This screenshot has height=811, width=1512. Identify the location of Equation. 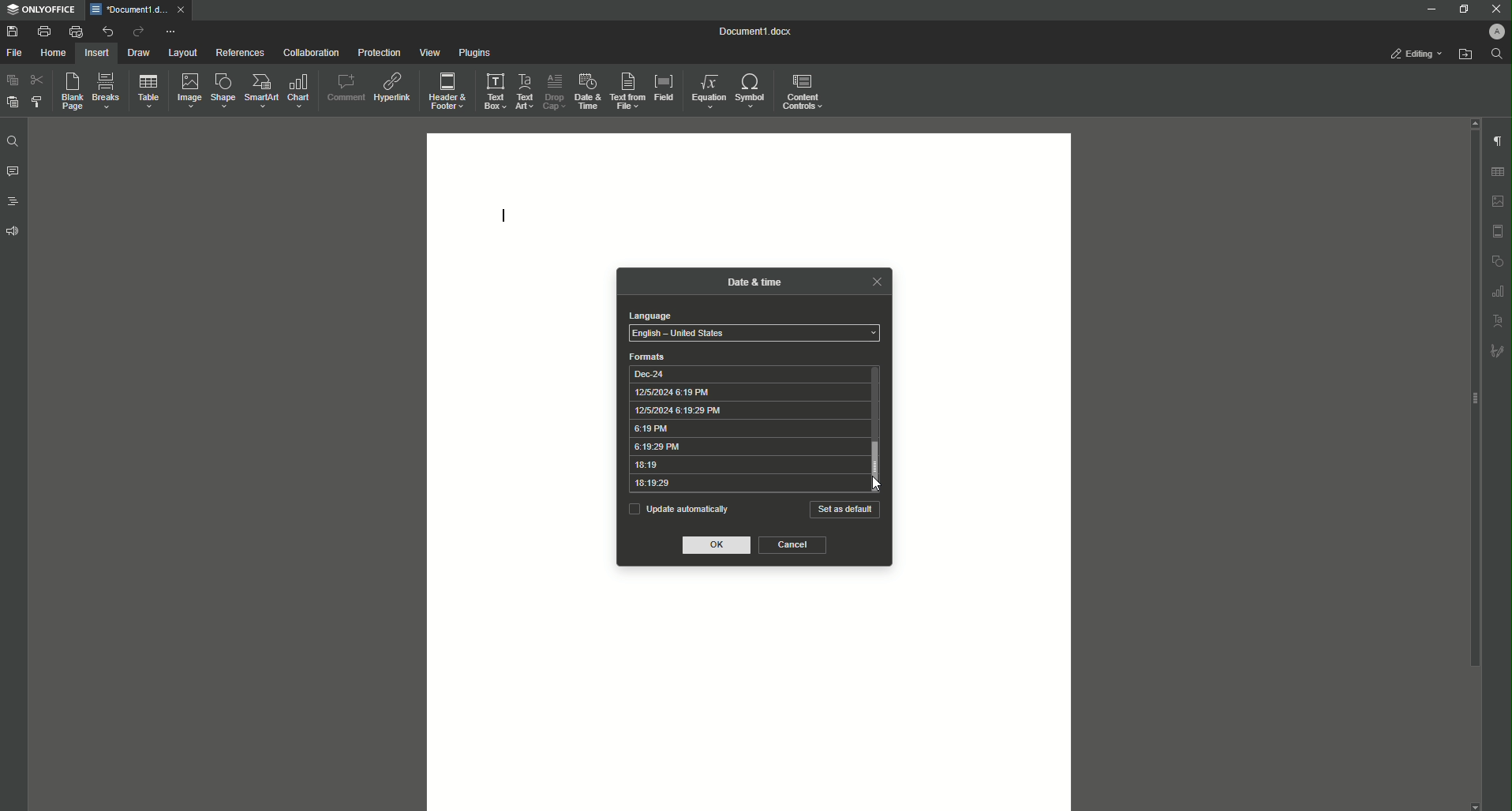
(709, 91).